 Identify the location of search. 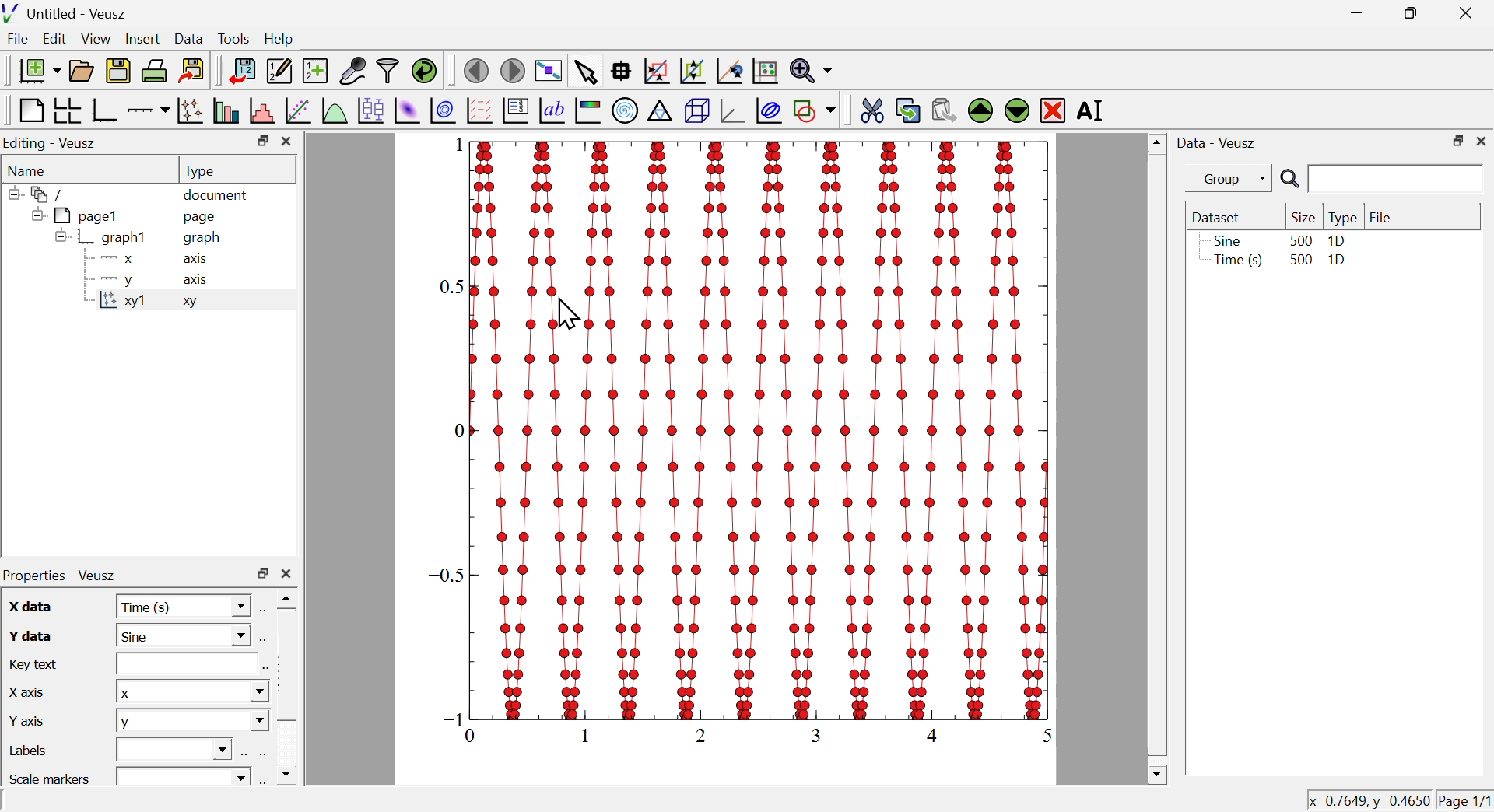
(1378, 180).